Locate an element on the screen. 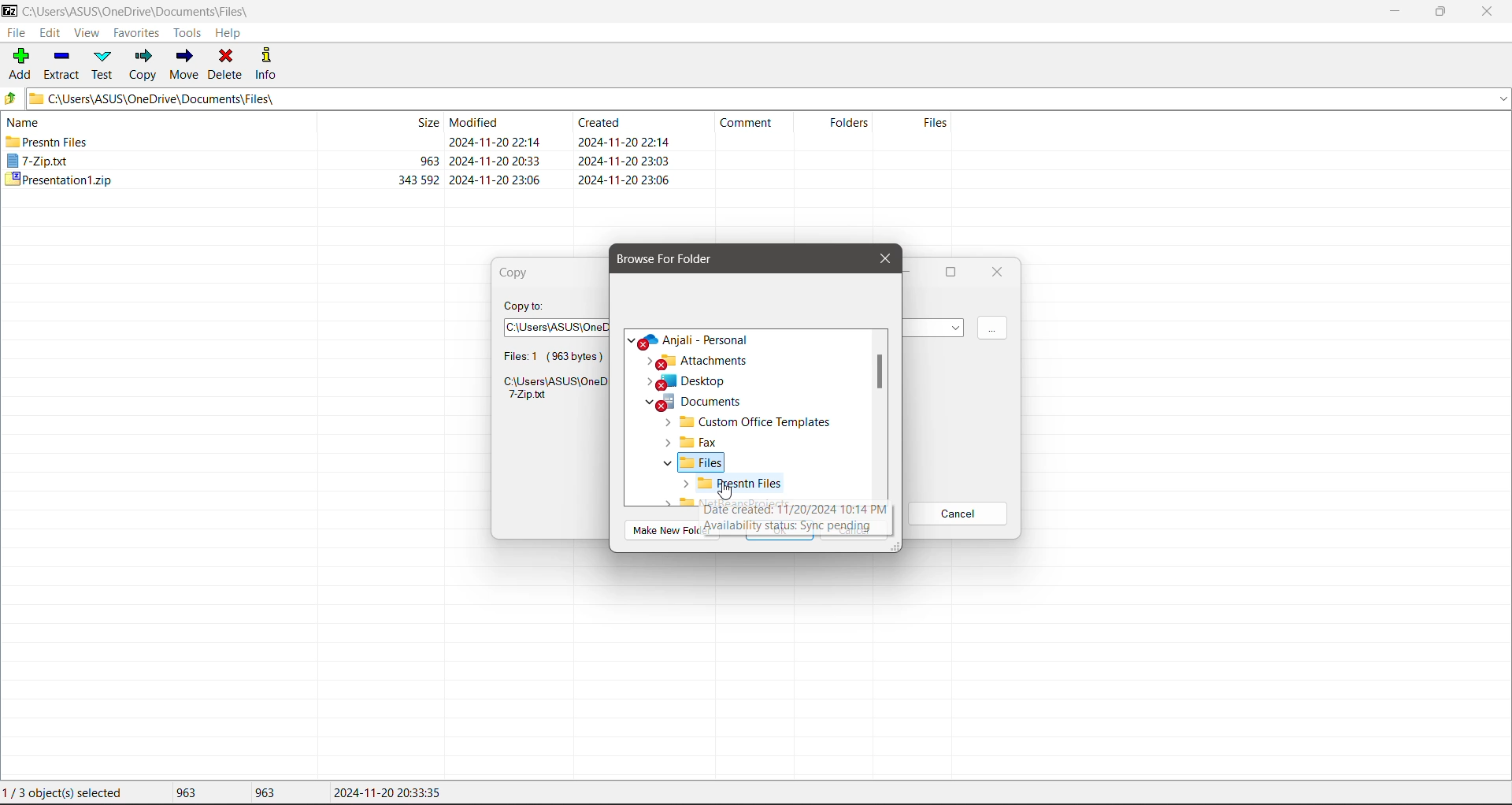  File size is located at coordinates (390, 152).